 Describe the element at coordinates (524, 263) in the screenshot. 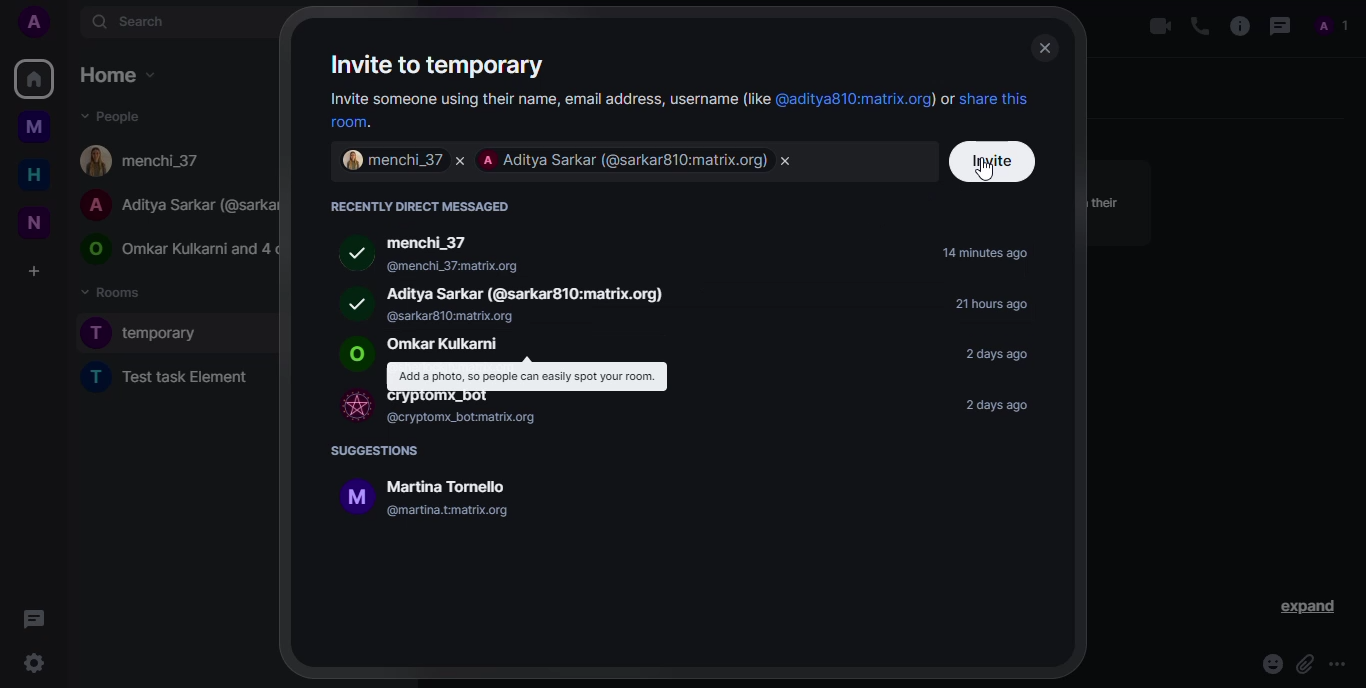

I see `@menchi_37:matrix.org` at that location.